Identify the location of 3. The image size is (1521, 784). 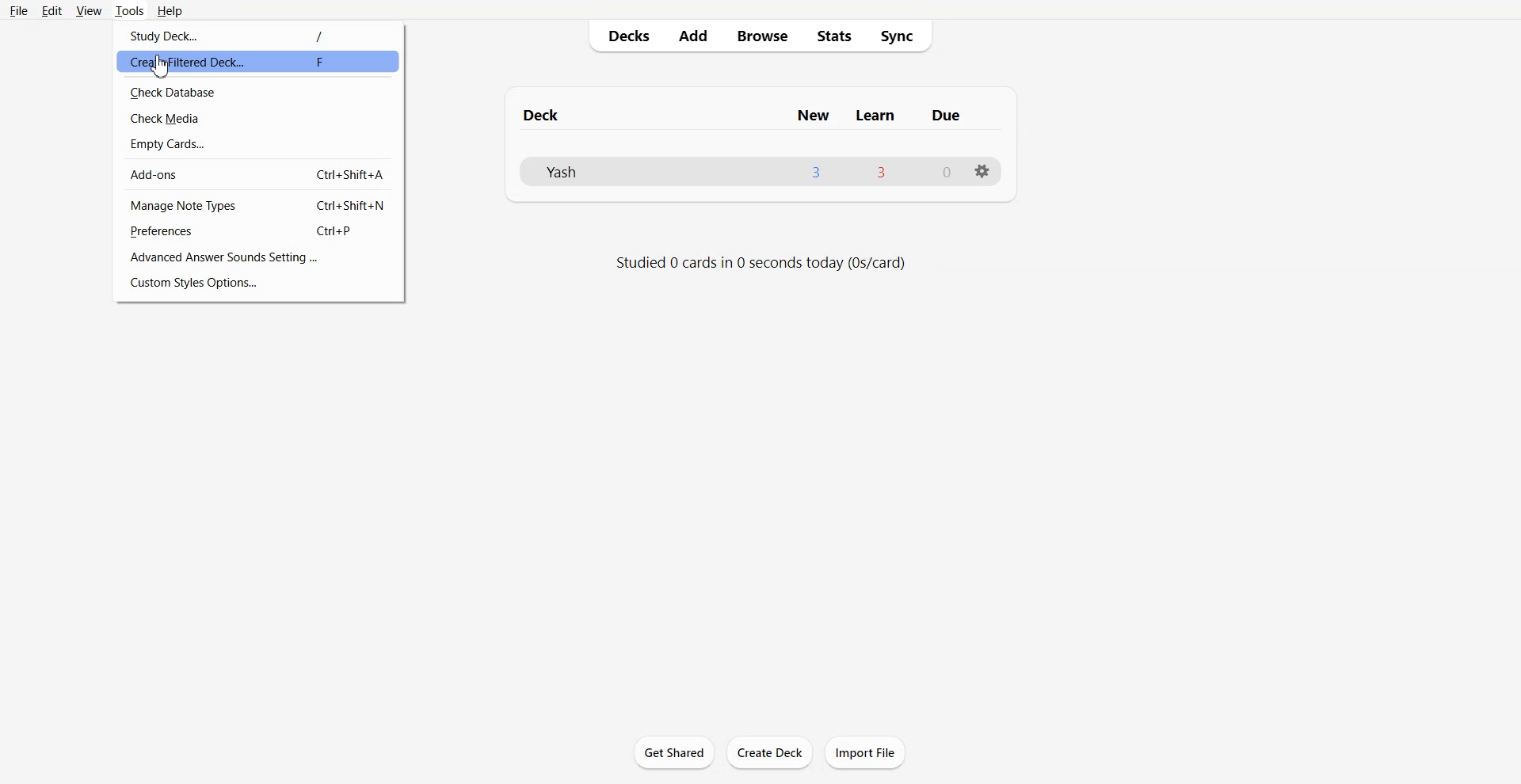
(816, 171).